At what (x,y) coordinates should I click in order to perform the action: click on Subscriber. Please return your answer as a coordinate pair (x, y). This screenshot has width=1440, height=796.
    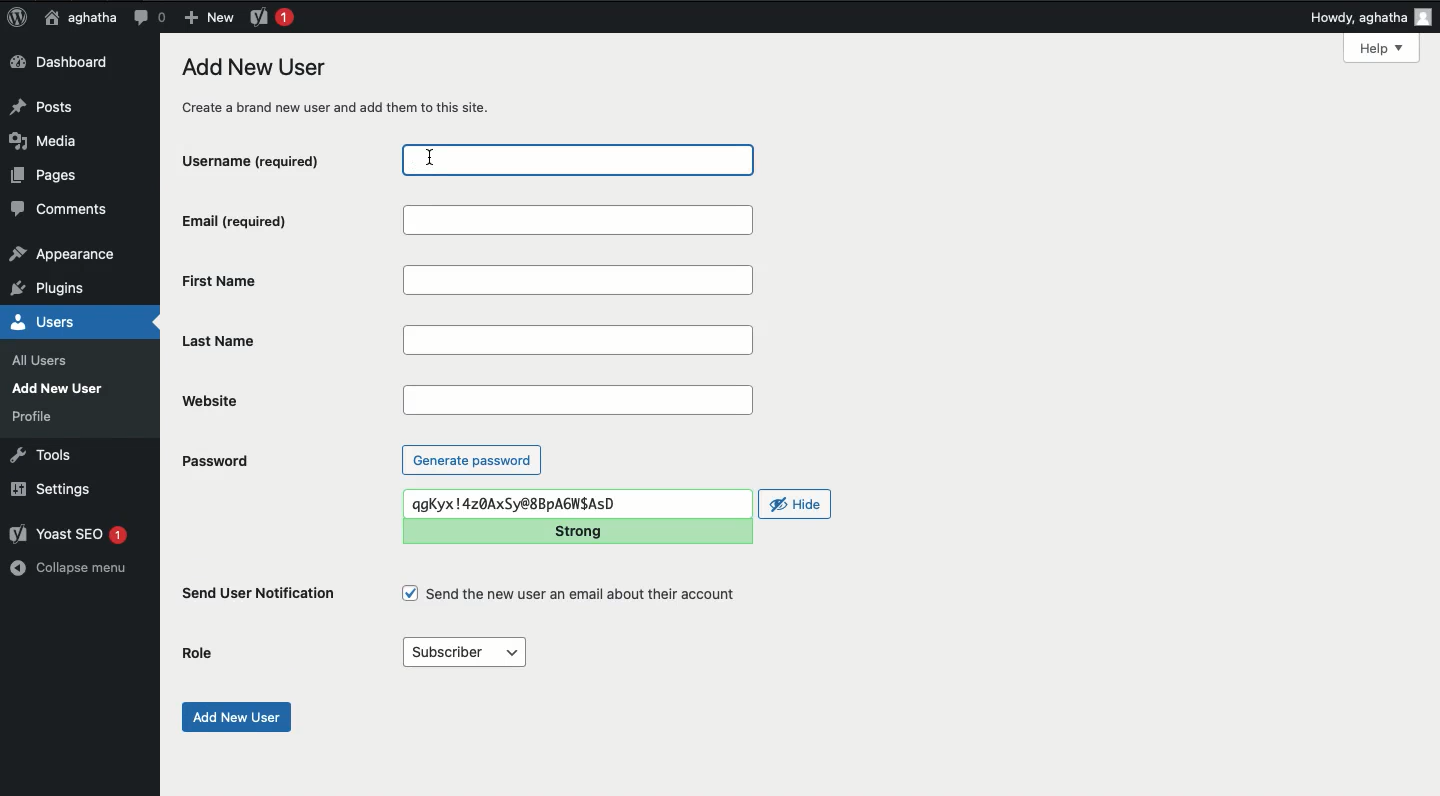
    Looking at the image, I should click on (463, 653).